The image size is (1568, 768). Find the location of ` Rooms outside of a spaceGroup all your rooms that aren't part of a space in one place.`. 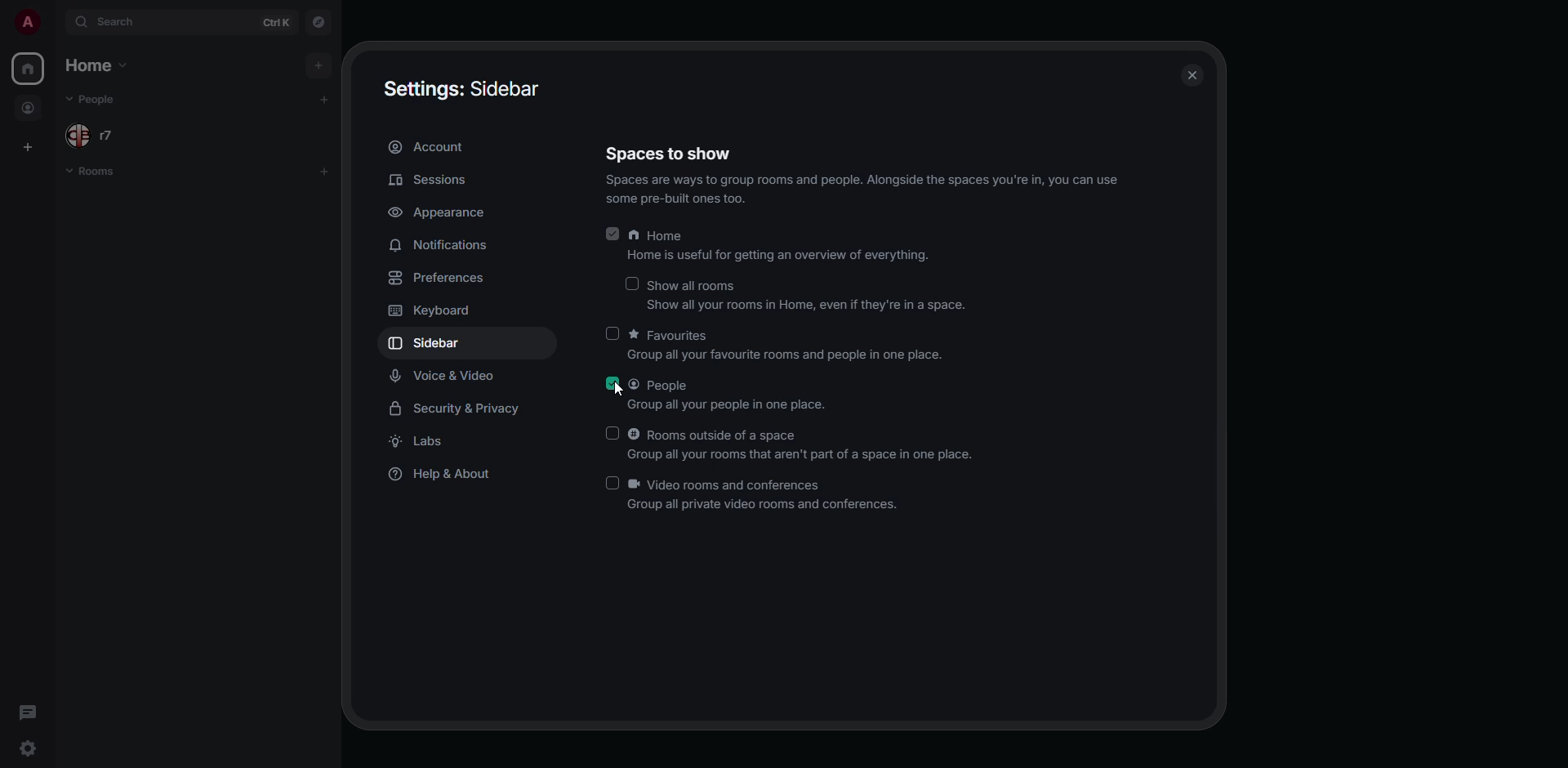

 Rooms outside of a spaceGroup all your rooms that aren't part of a space in one place. is located at coordinates (789, 444).